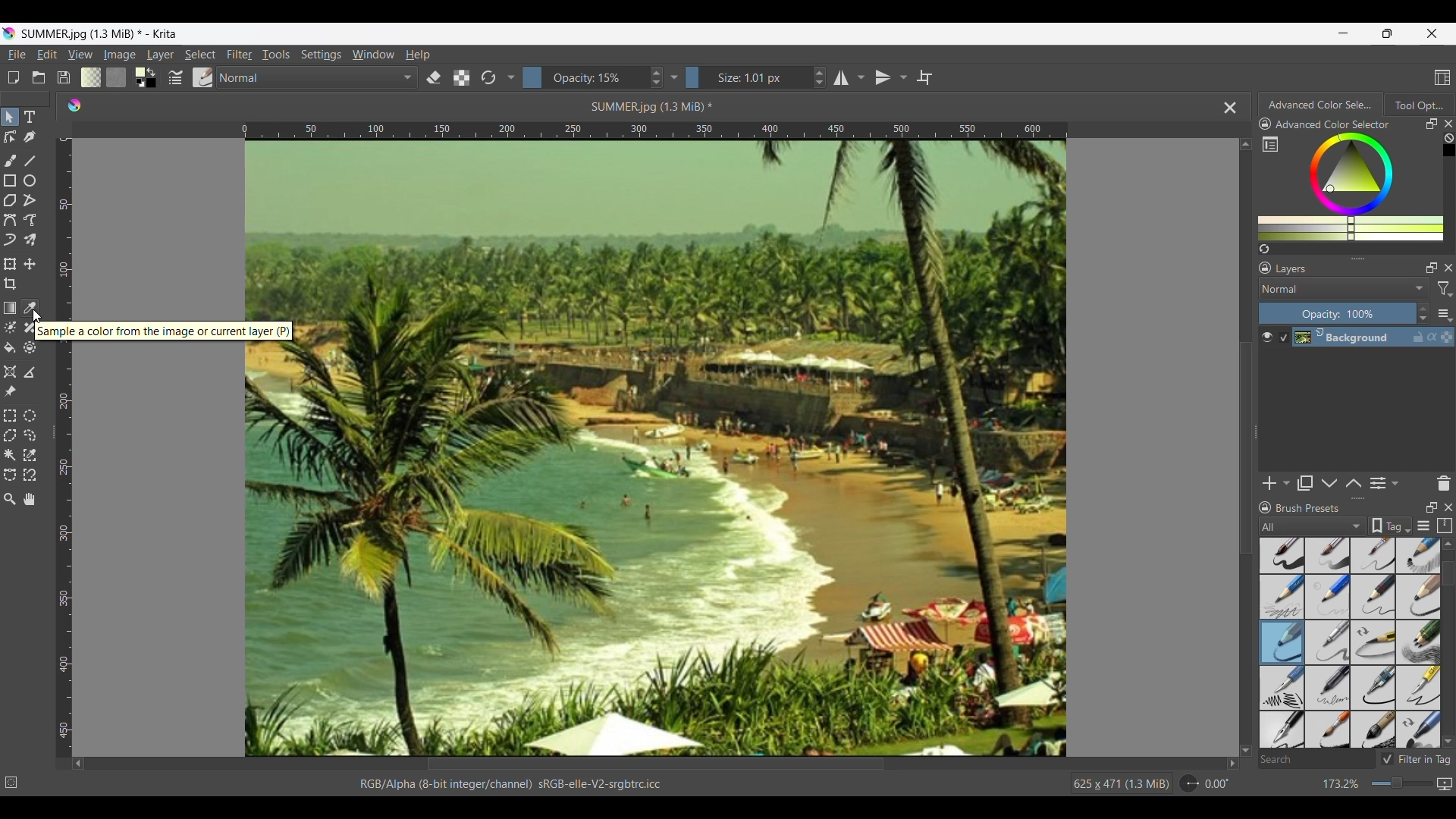 The width and height of the screenshot is (1456, 819). What do you see at coordinates (1217, 784) in the screenshot?
I see `0.00` at bounding box center [1217, 784].